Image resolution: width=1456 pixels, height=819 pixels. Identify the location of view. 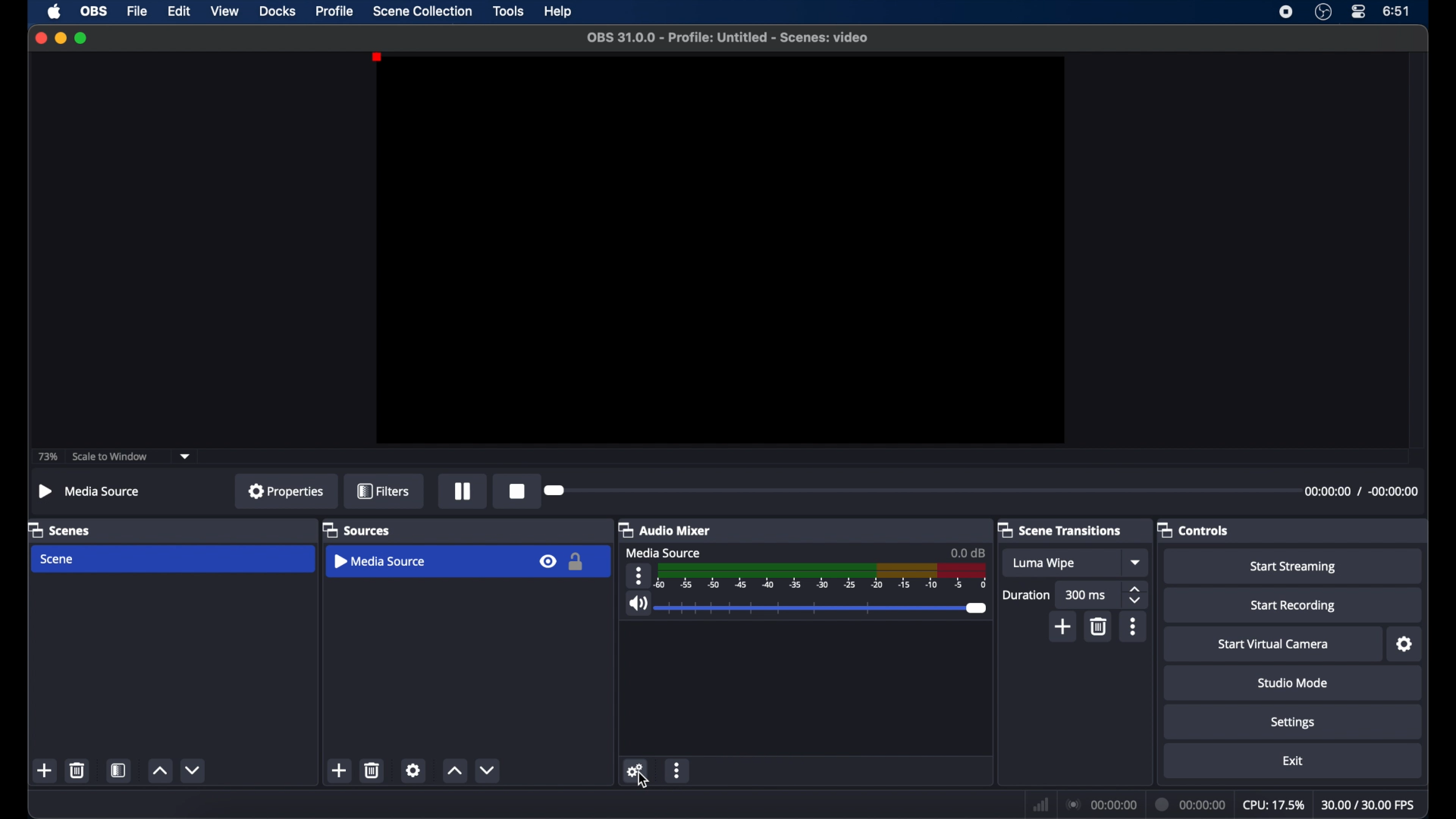
(224, 12).